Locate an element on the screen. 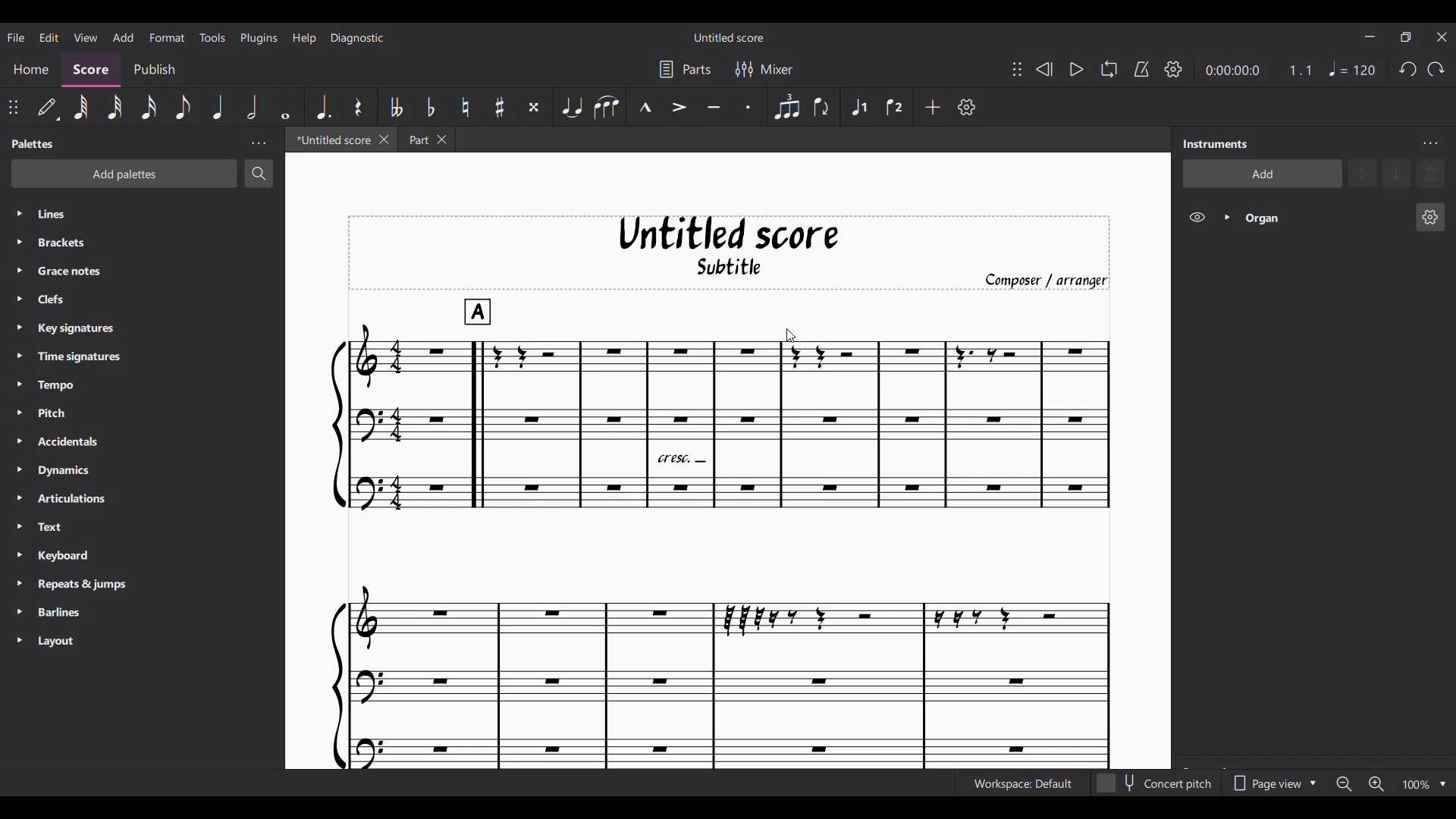 The image size is (1456, 819). Tenuto is located at coordinates (714, 108).